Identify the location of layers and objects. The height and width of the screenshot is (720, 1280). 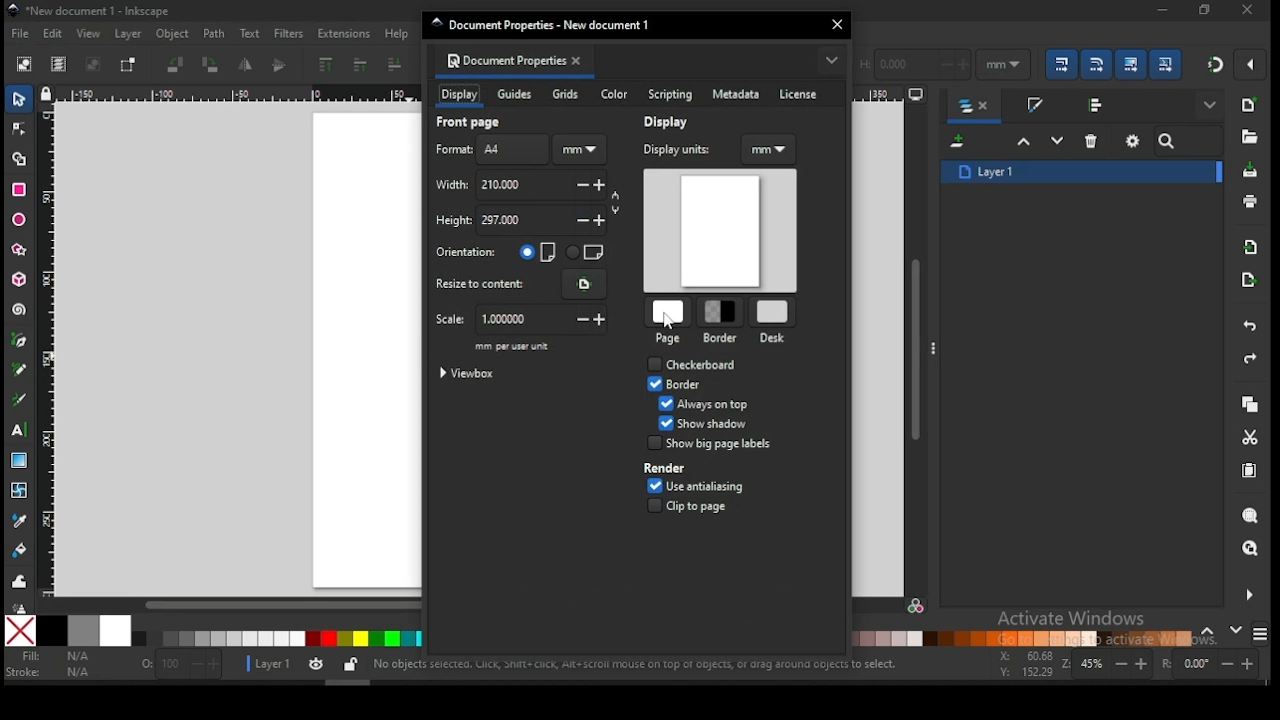
(976, 107).